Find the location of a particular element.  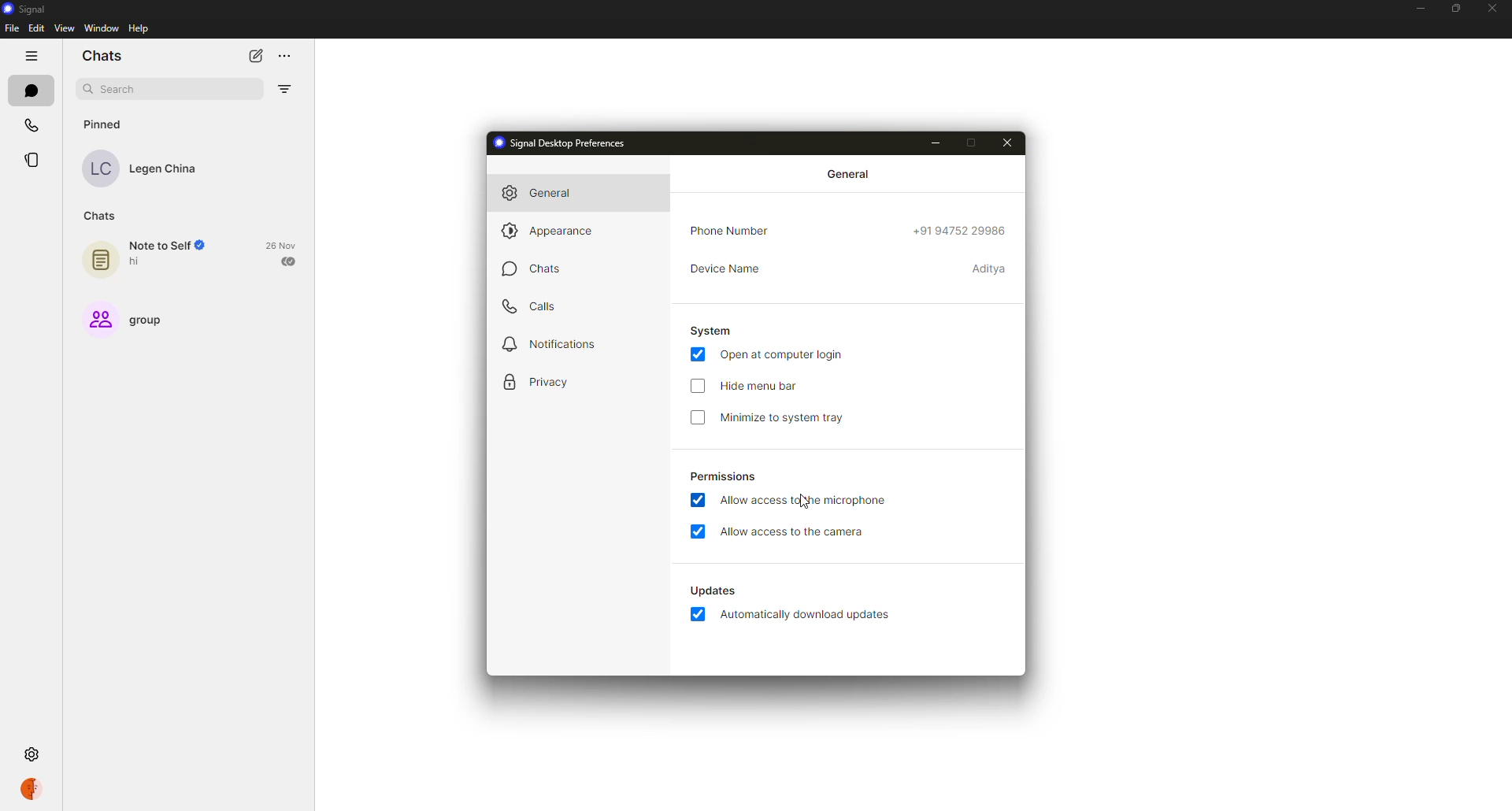

profile is located at coordinates (35, 787).